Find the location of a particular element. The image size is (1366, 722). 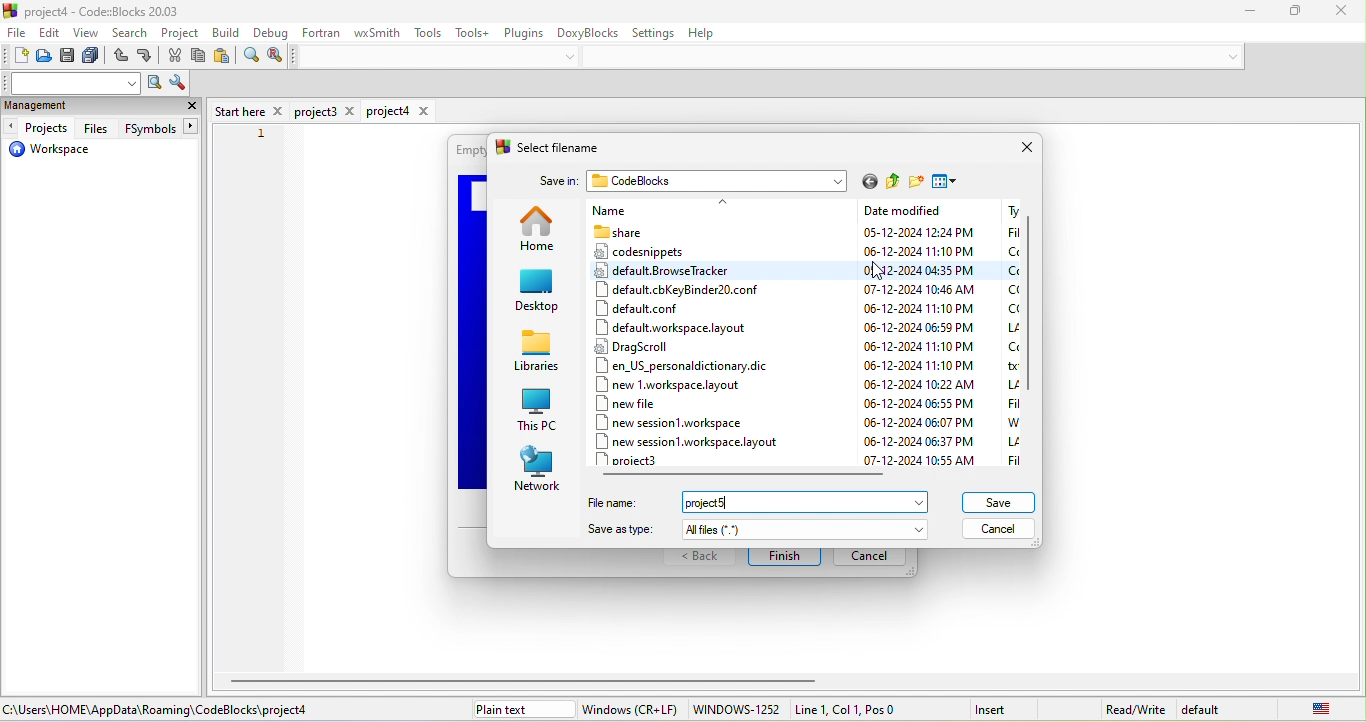

code blocks is located at coordinates (720, 180).